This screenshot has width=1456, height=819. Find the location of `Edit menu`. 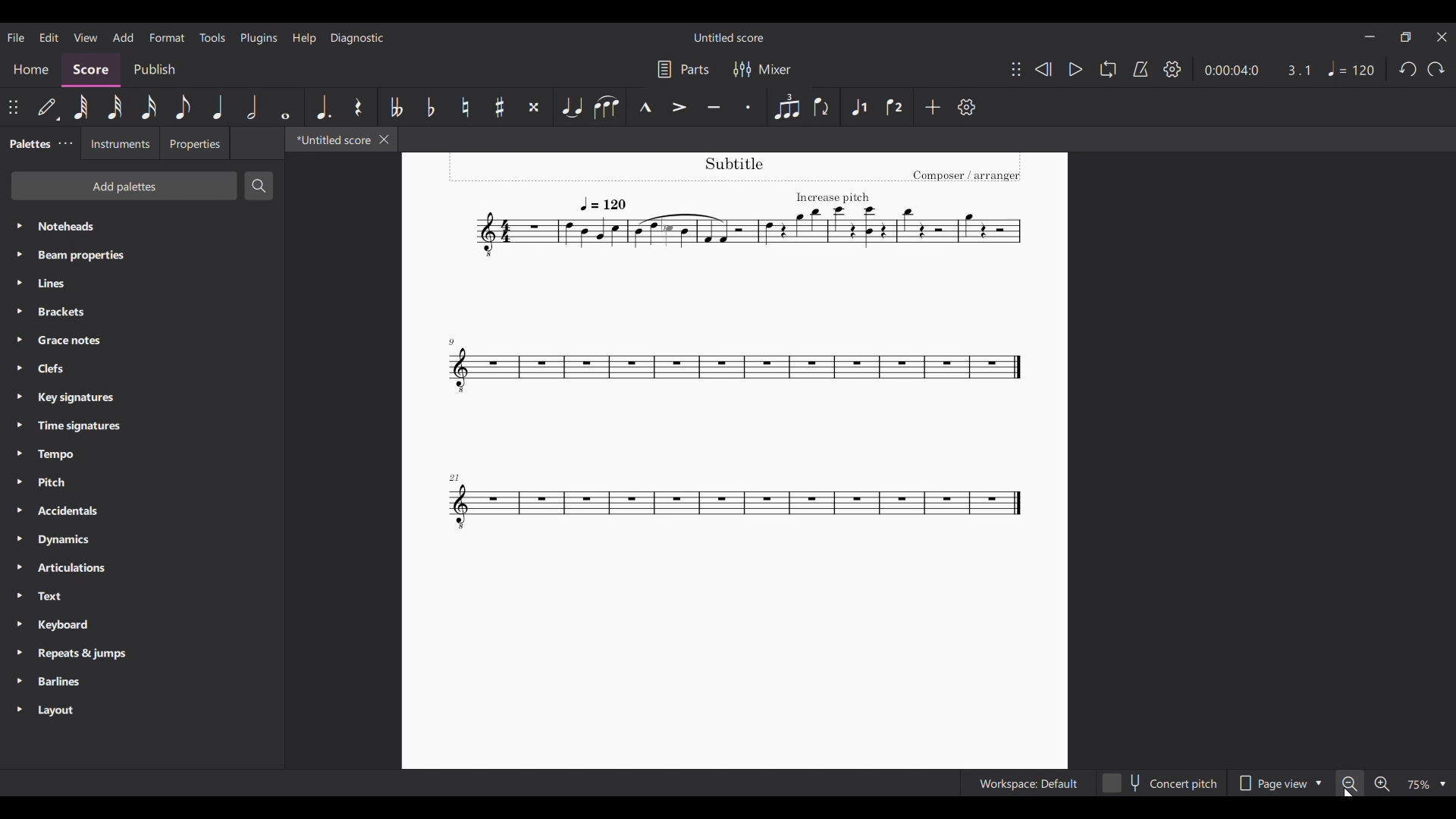

Edit menu is located at coordinates (49, 37).